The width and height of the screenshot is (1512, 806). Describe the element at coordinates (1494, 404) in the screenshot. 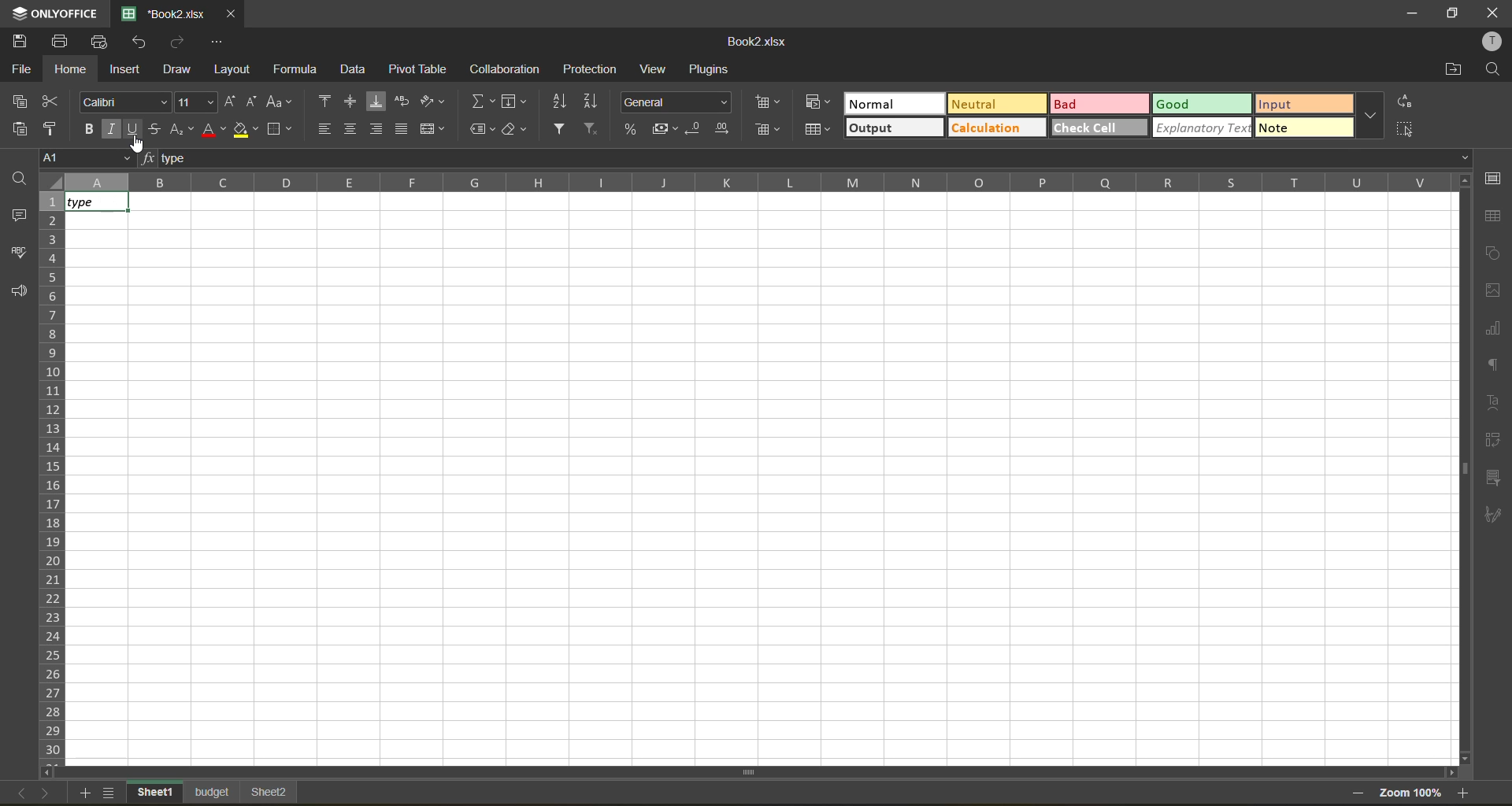

I see `text` at that location.